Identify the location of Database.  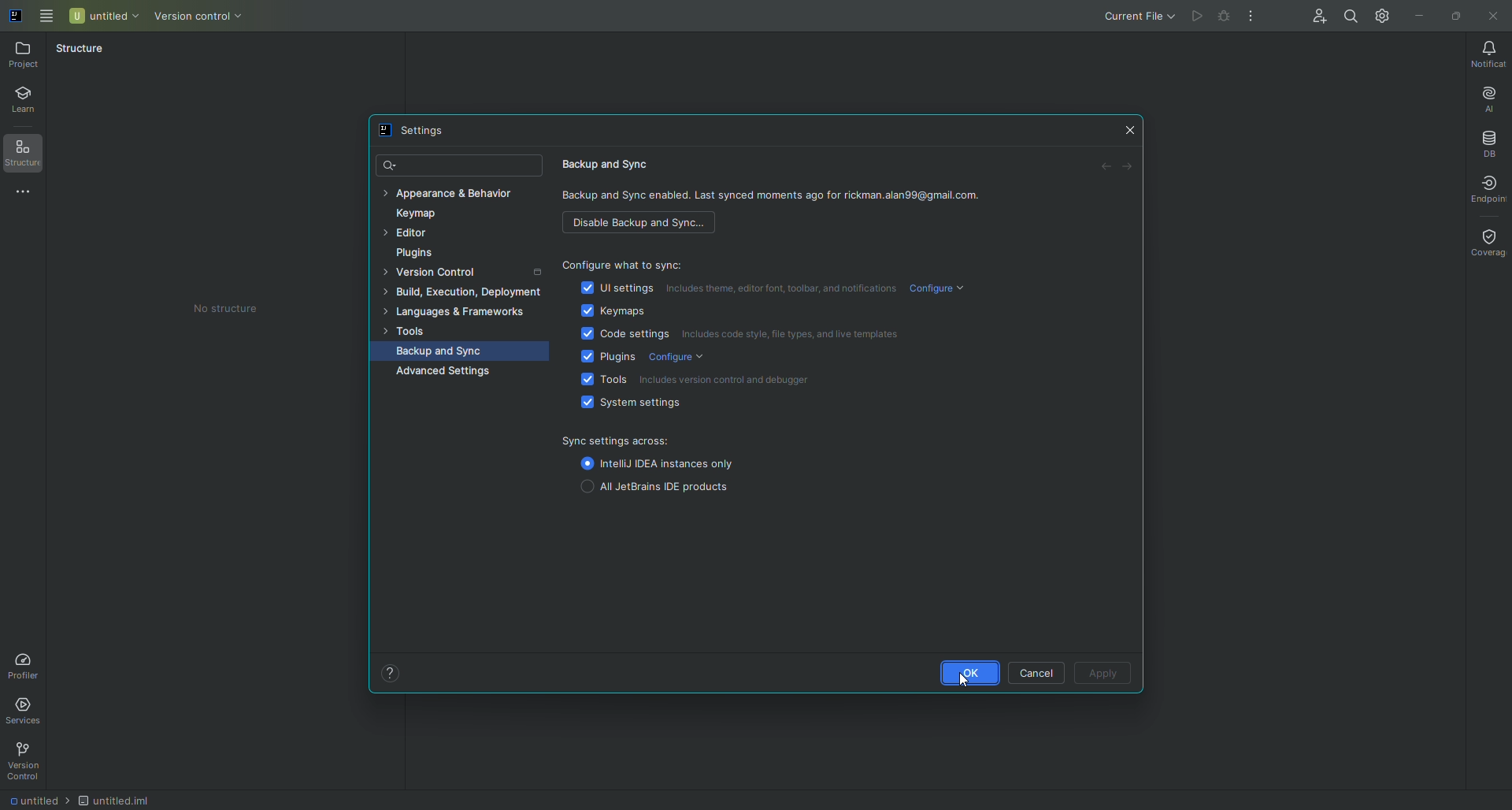
(1488, 142).